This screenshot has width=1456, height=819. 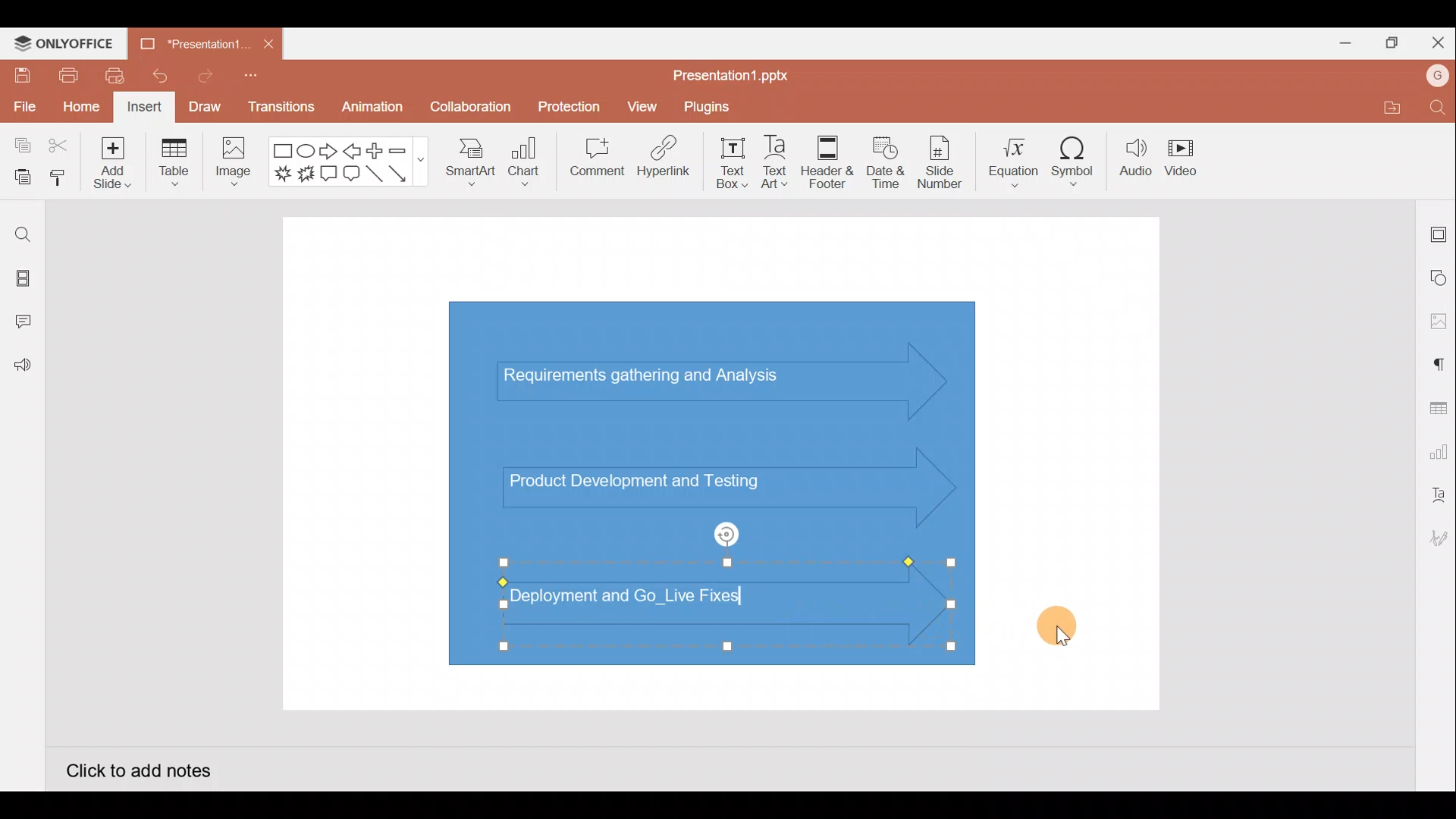 What do you see at coordinates (525, 160) in the screenshot?
I see `Chart` at bounding box center [525, 160].